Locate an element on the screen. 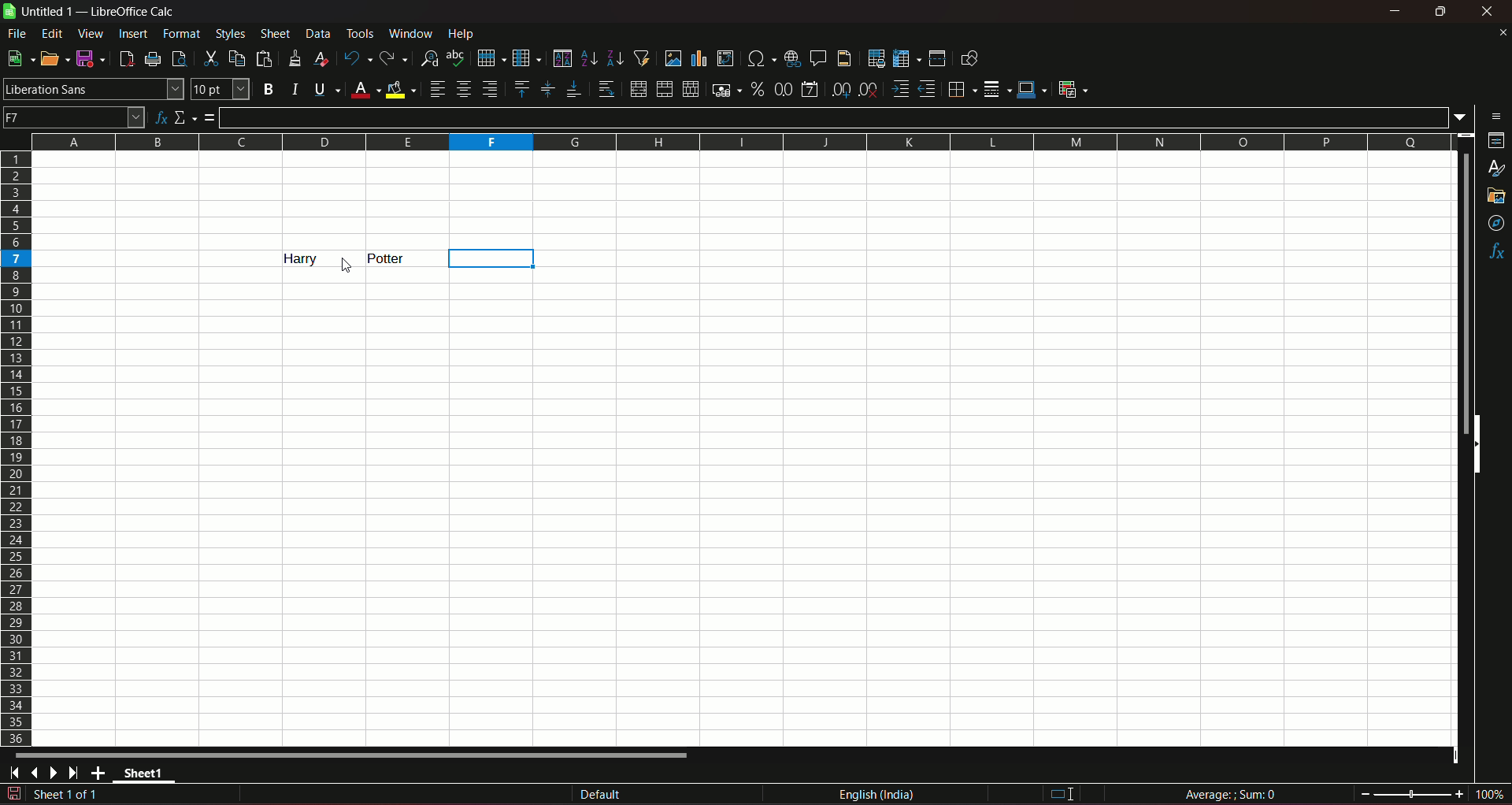 The image size is (1512, 805). sheet sequence is located at coordinates (67, 796).